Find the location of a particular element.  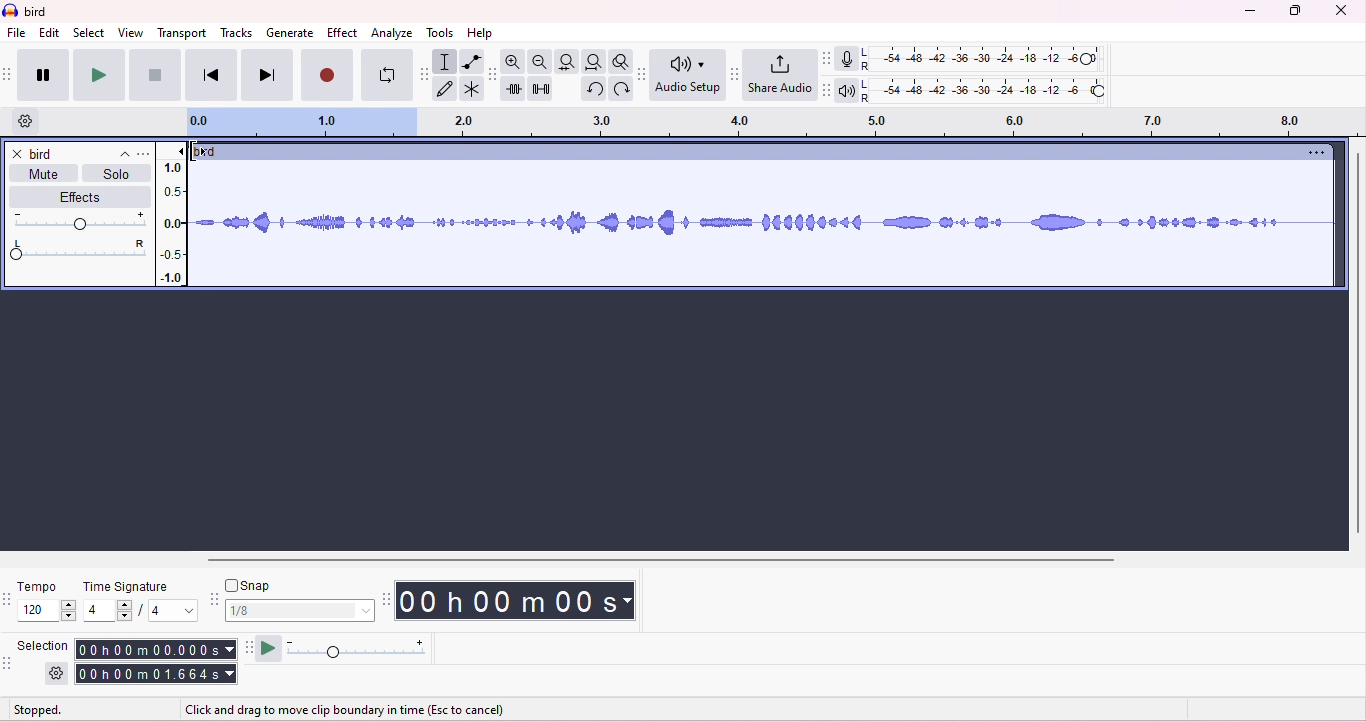

select time signature is located at coordinates (139, 612).